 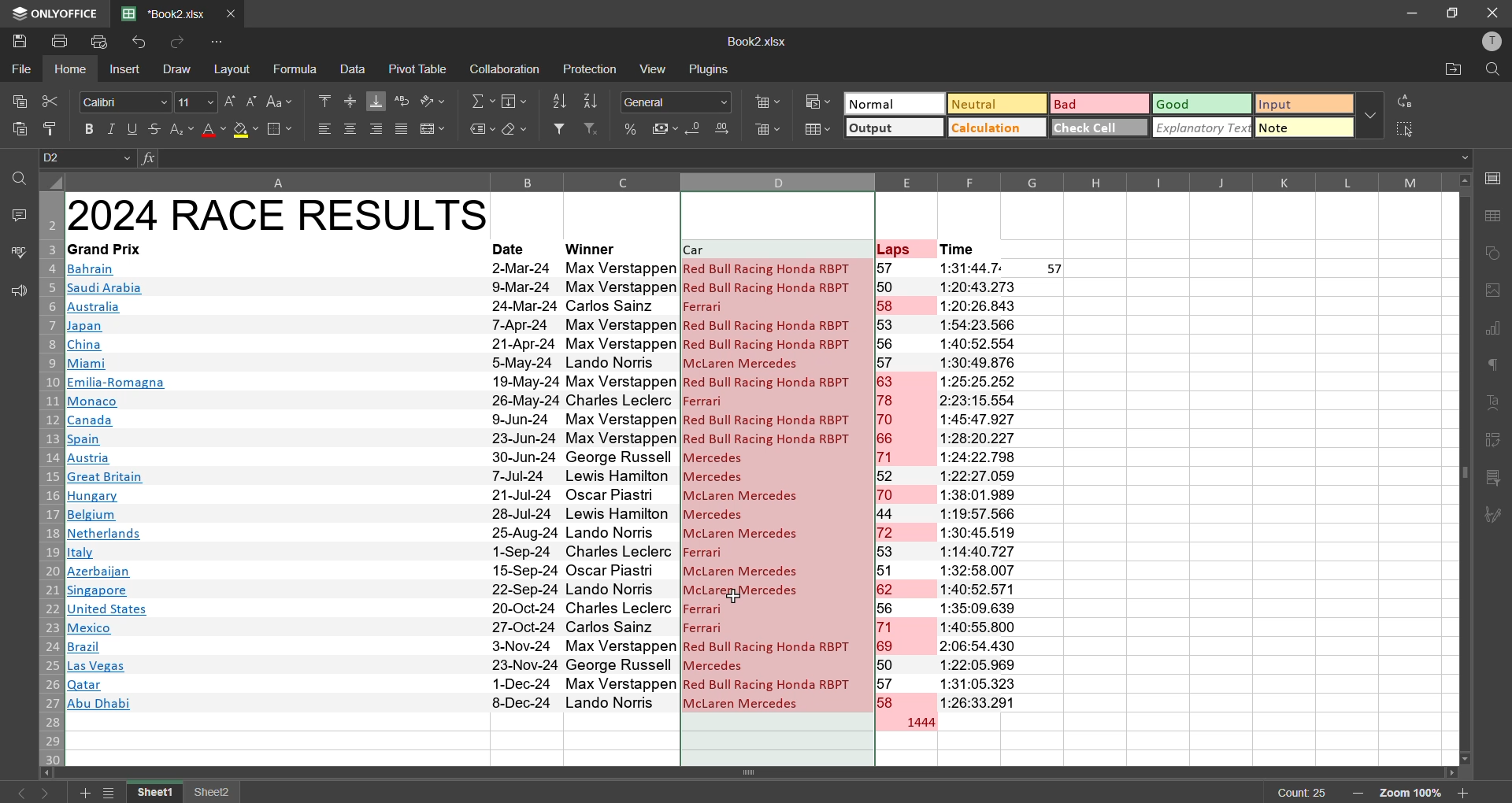 I want to click on home, so click(x=74, y=69).